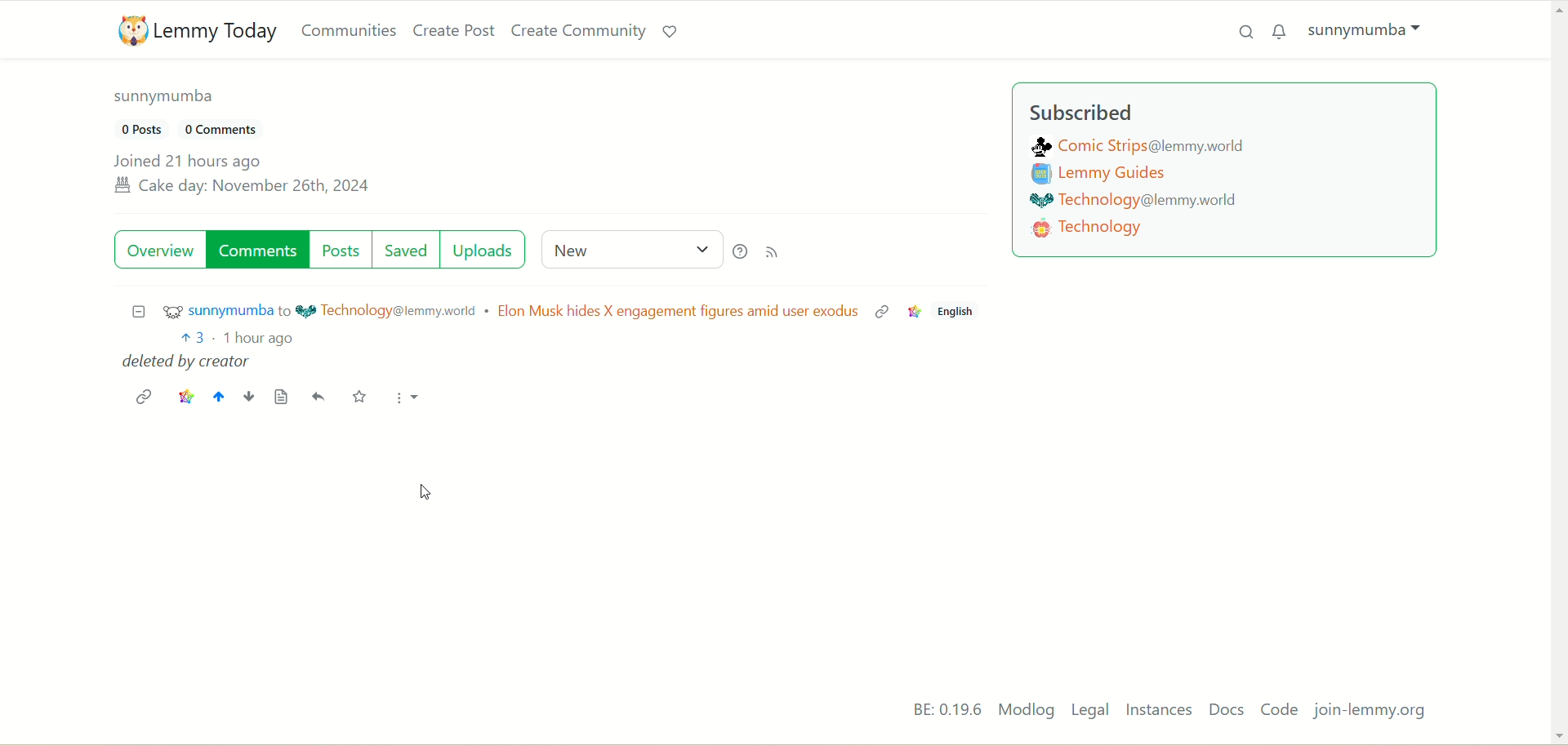  Describe the element at coordinates (185, 393) in the screenshot. I see `context` at that location.